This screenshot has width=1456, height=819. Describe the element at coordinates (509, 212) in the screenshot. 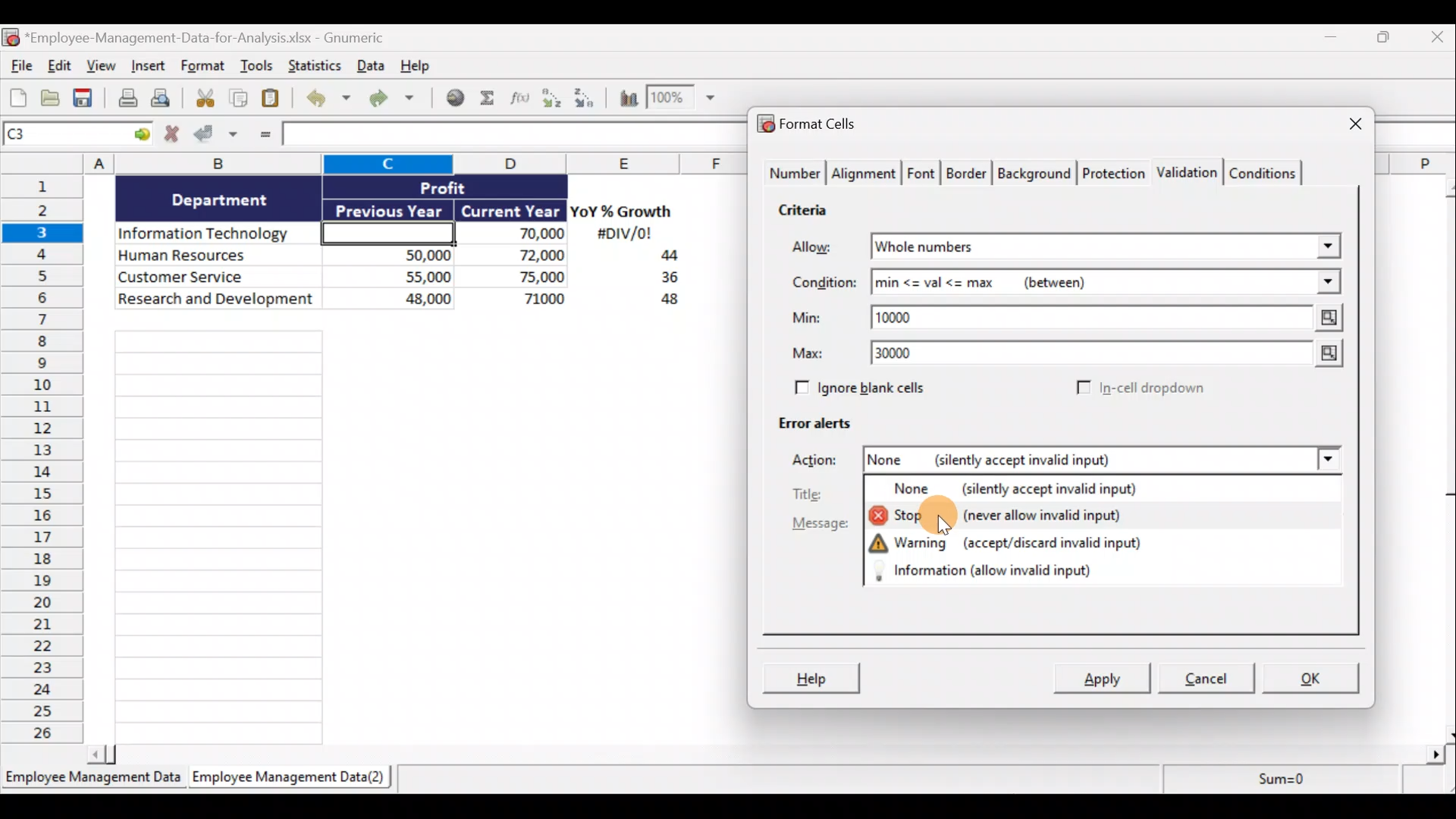

I see `Current Year` at that location.